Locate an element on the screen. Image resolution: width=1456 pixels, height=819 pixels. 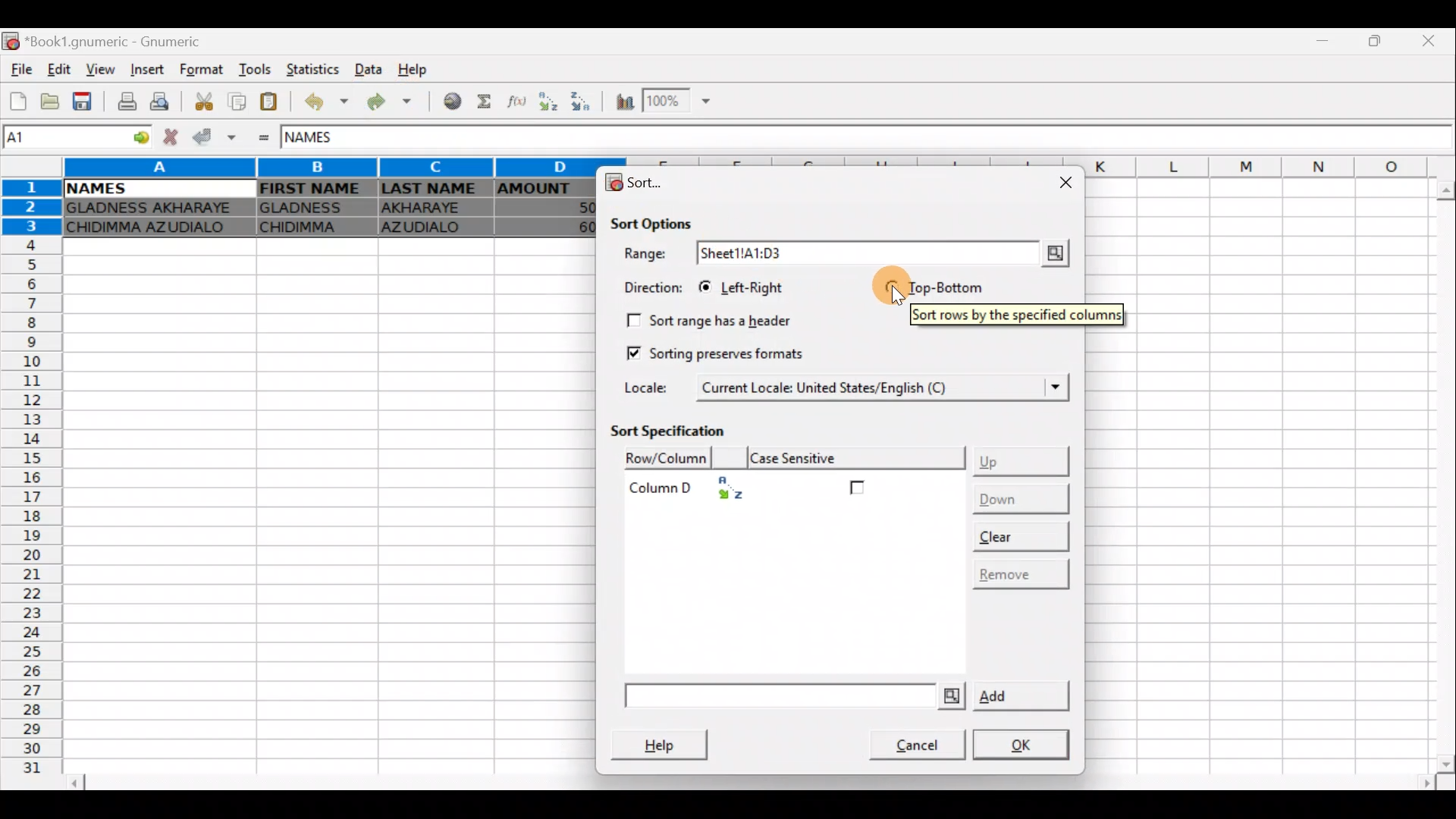
Minimize is located at coordinates (1323, 45).